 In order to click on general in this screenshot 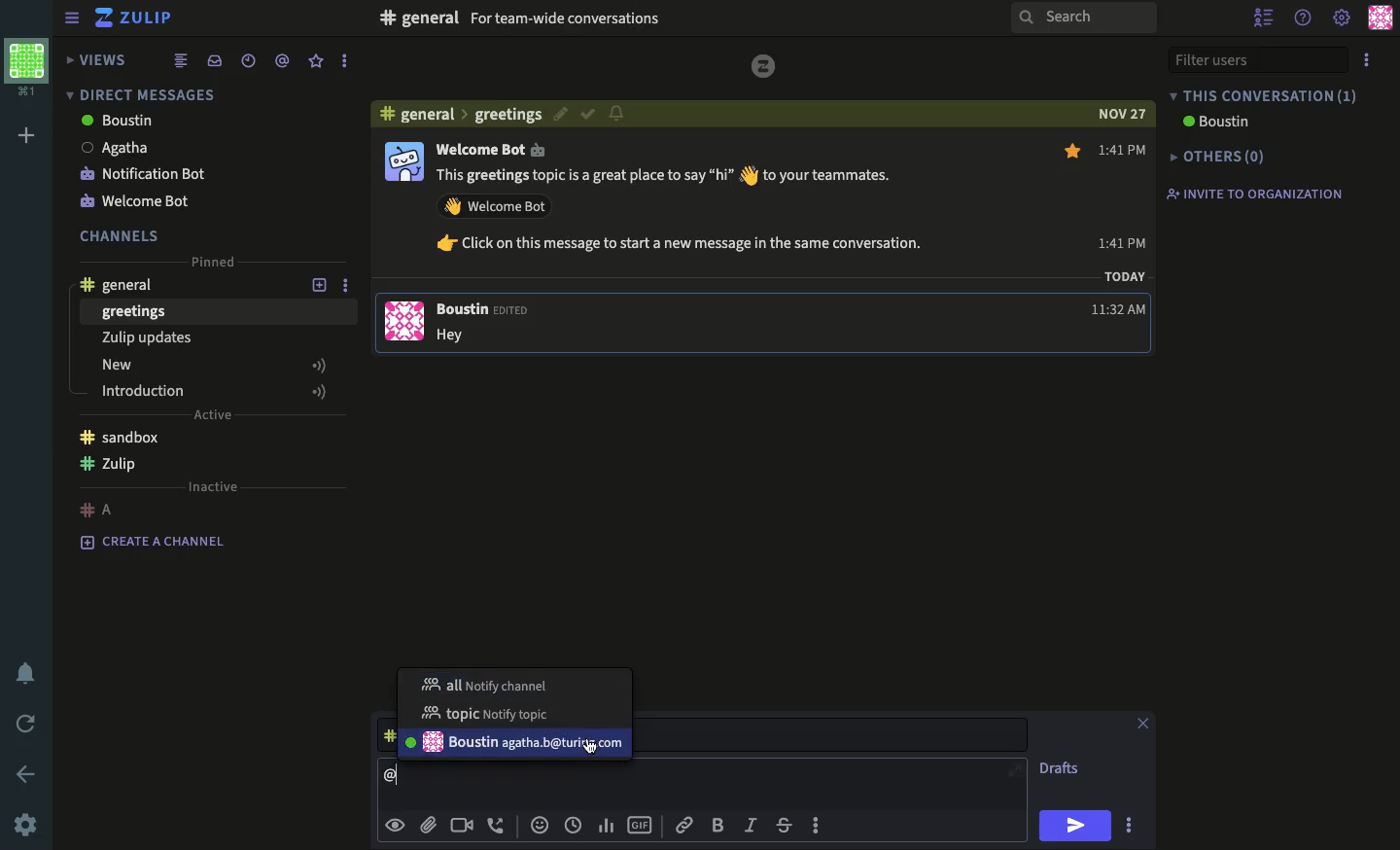, I will do `click(424, 116)`.